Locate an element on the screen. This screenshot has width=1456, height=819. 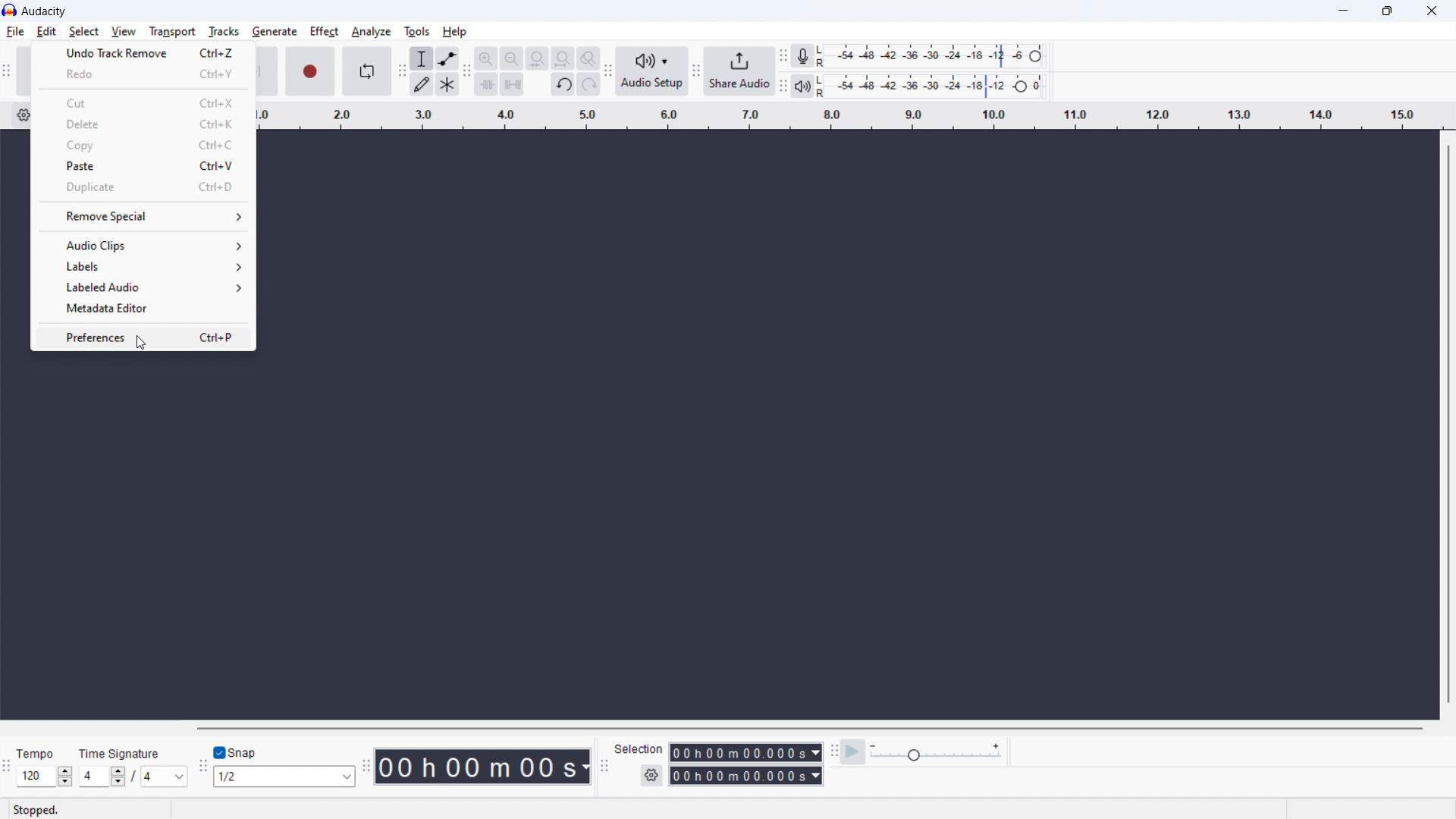
zoom in is located at coordinates (485, 58).